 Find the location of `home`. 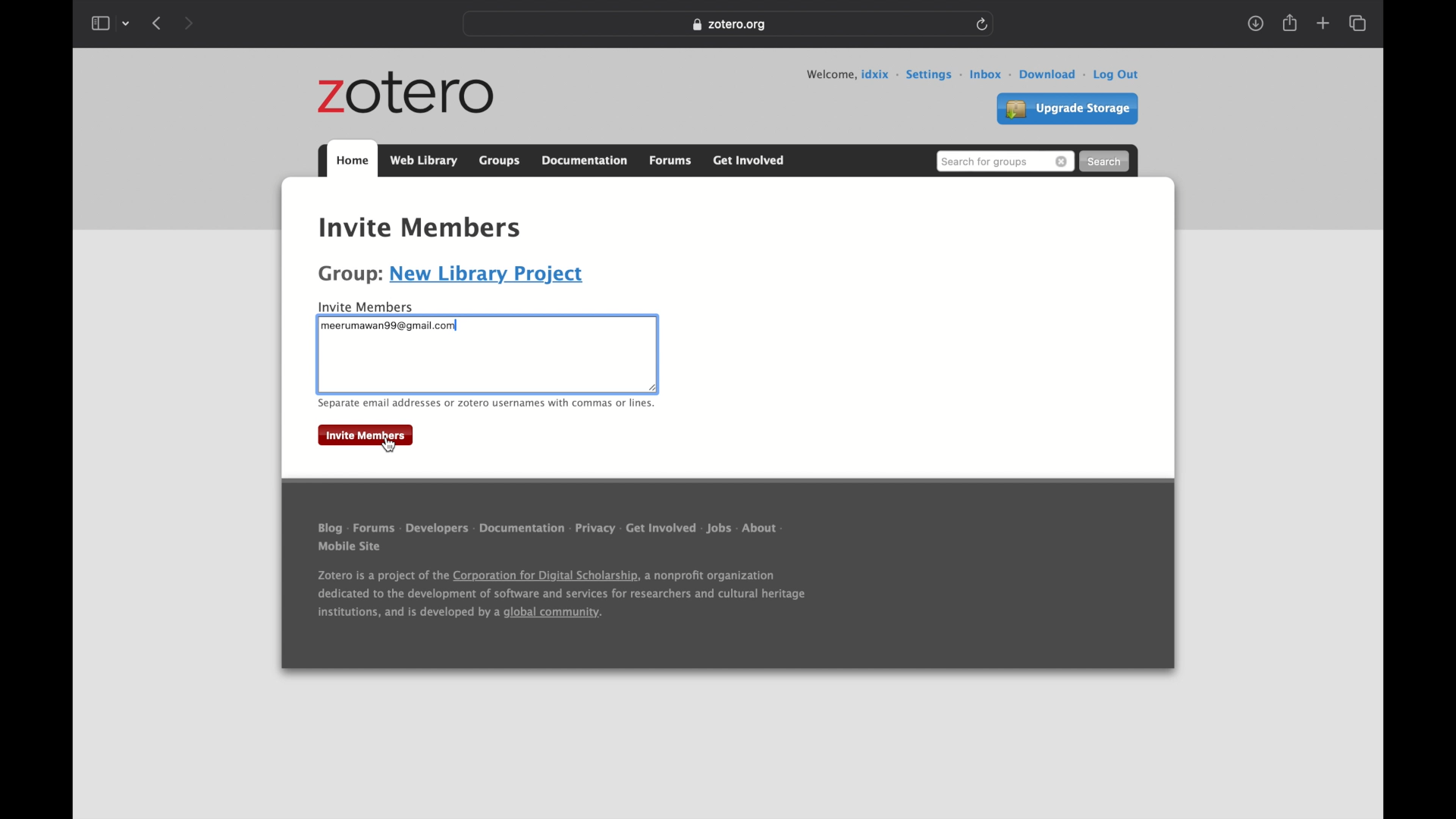

home is located at coordinates (352, 160).